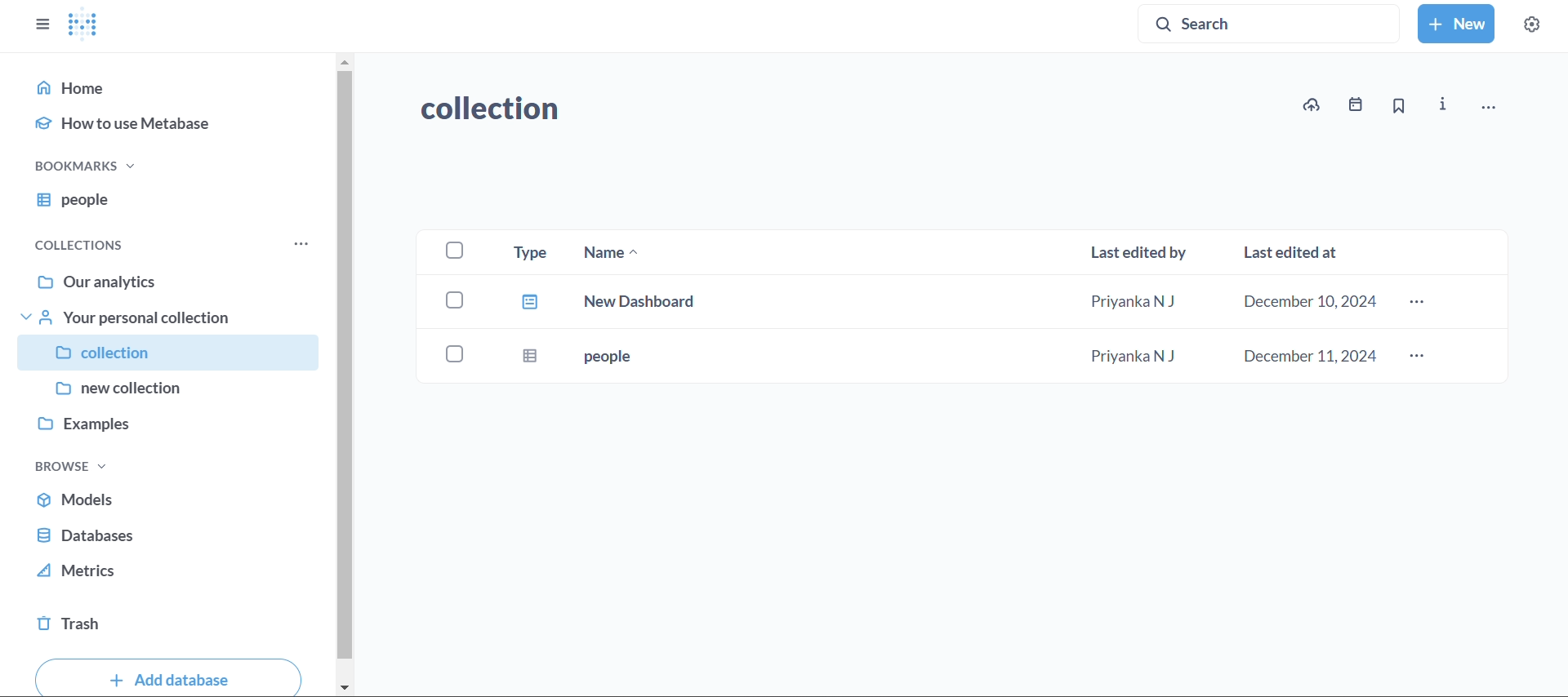  I want to click on more, so click(1416, 302).